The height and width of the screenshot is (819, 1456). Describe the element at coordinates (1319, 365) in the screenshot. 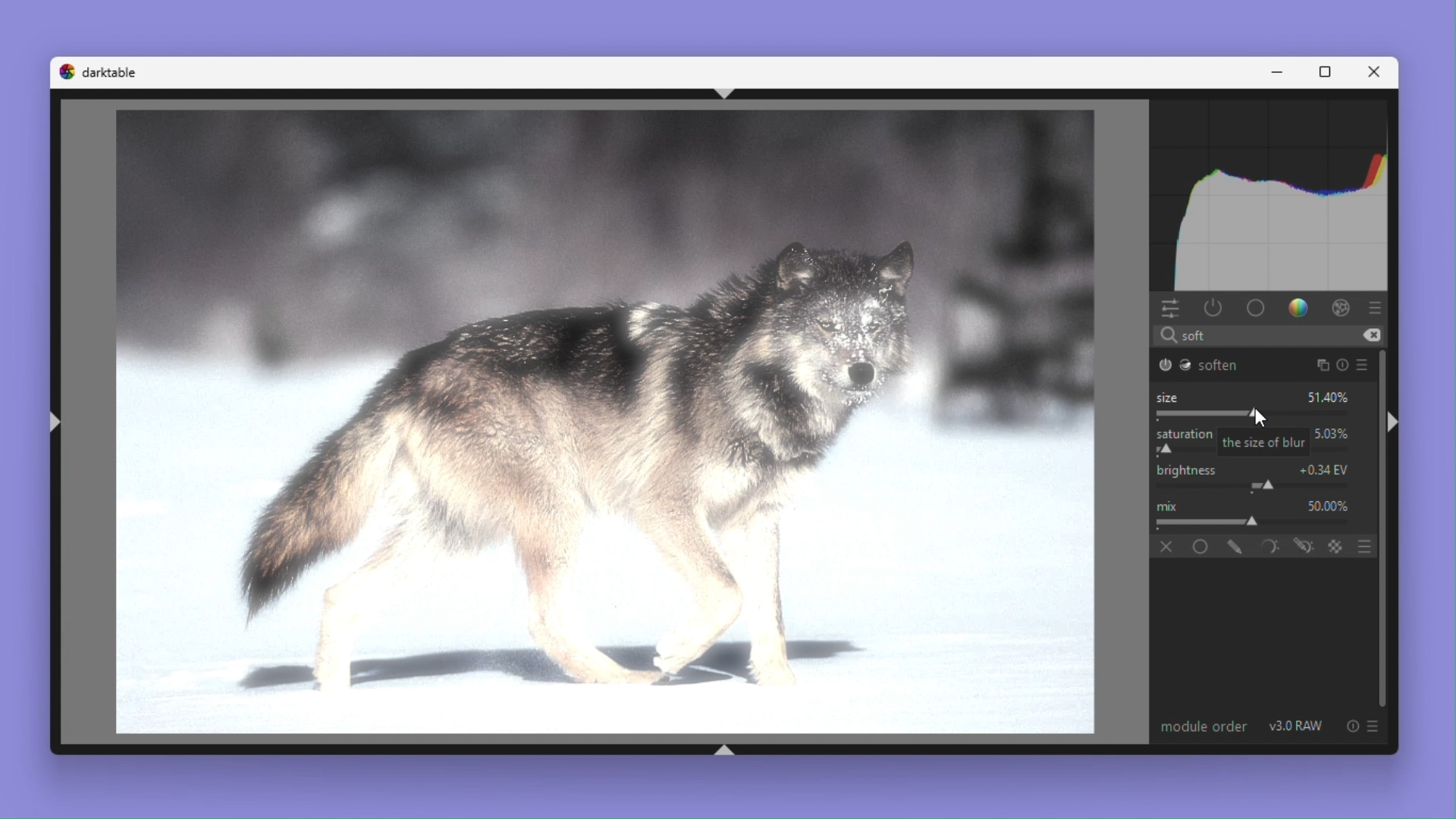

I see `Multiple instance` at that location.